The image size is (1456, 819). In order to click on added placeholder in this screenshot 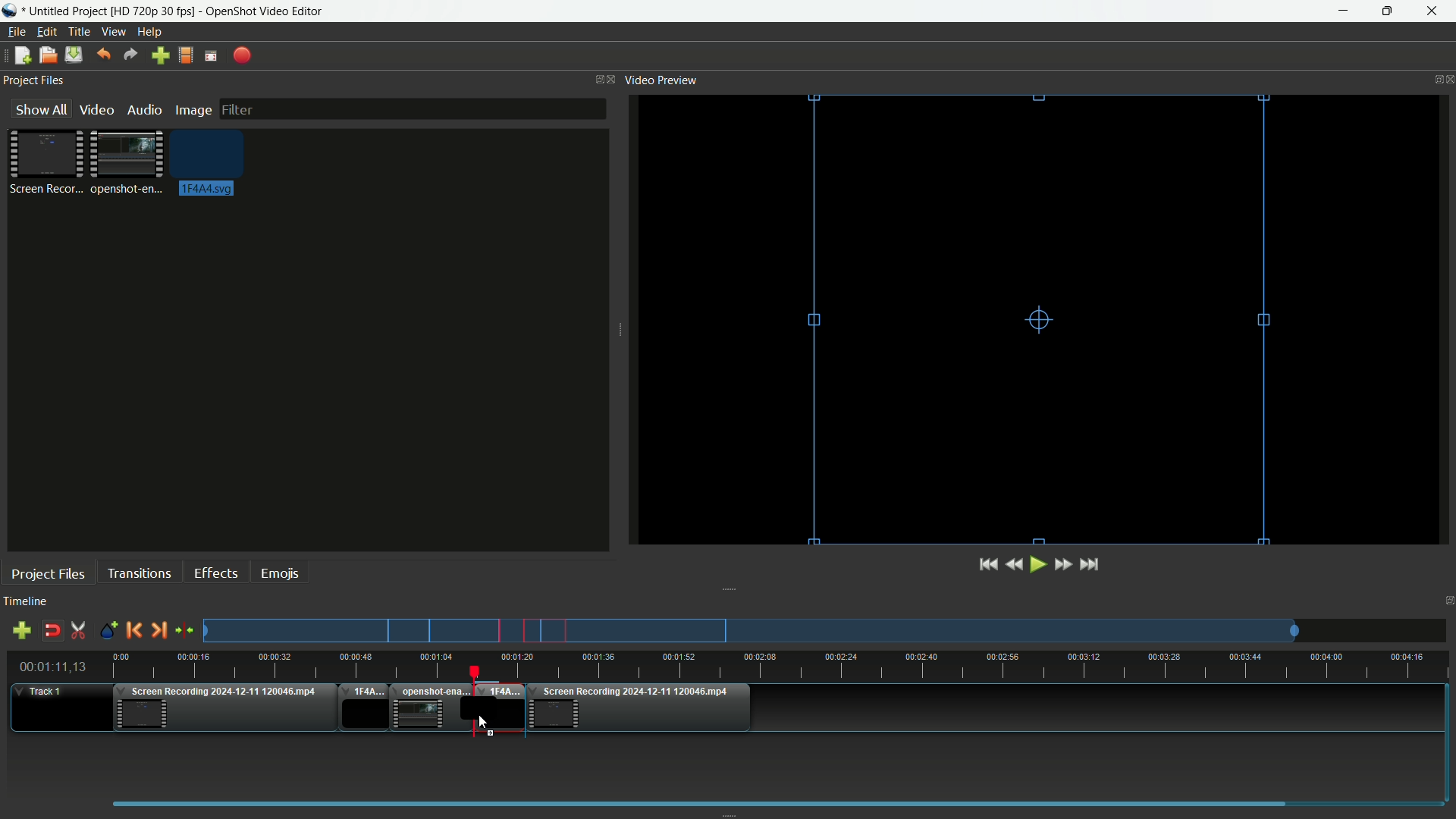, I will do `click(363, 709)`.